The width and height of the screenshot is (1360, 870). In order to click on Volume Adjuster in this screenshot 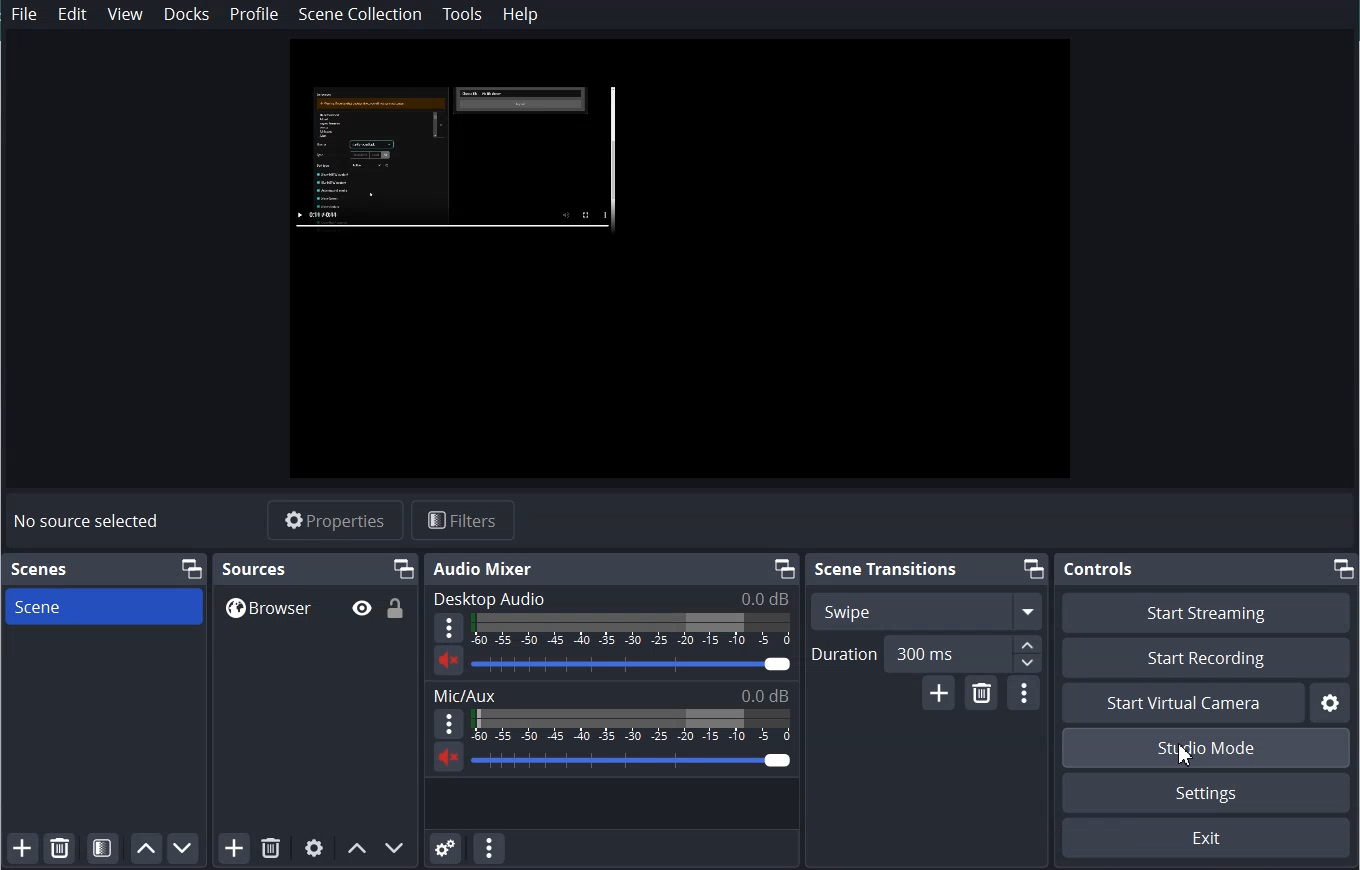, I will do `click(632, 760)`.